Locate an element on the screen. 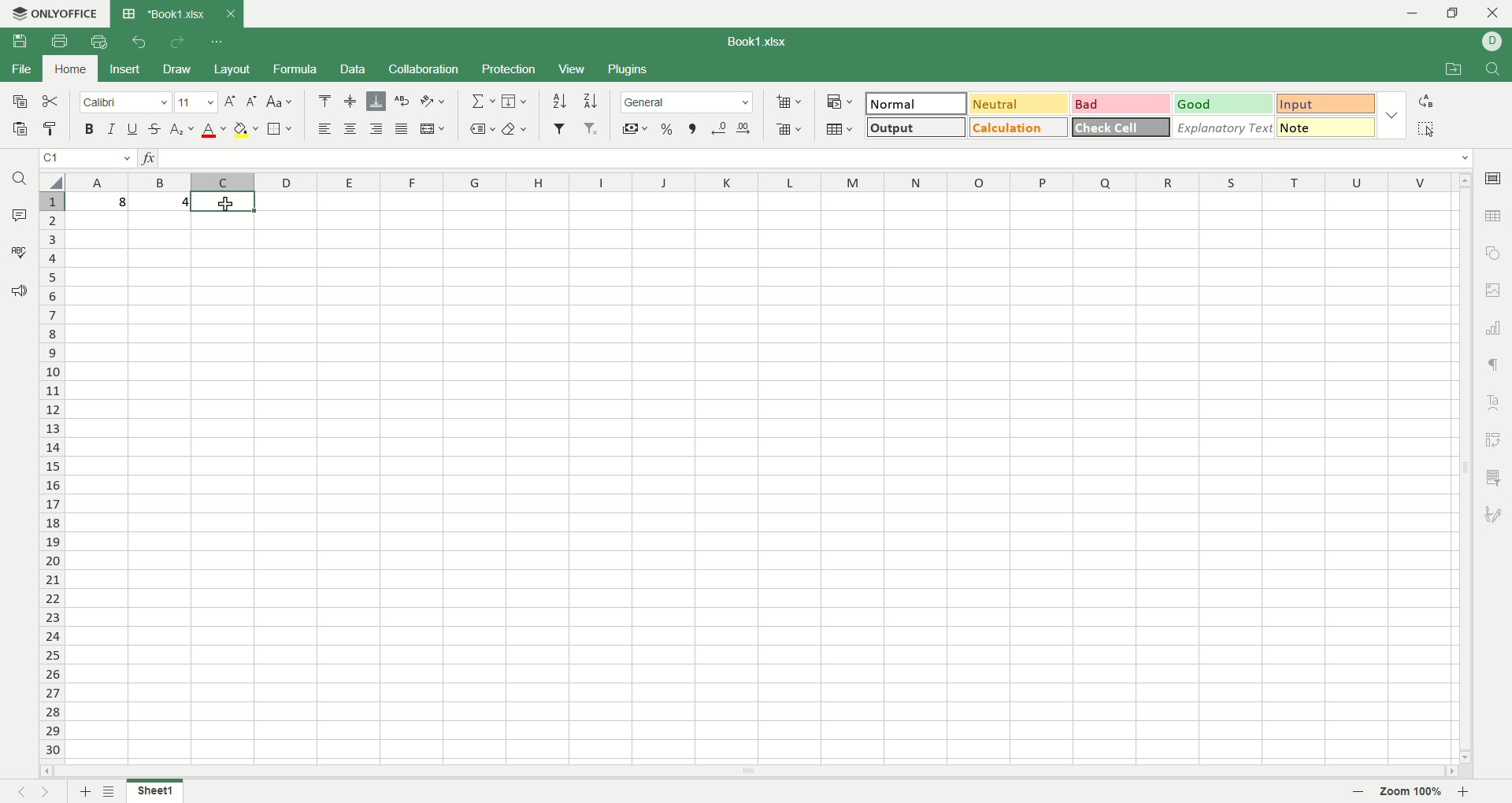 Image resolution: width=1512 pixels, height=803 pixels. save is located at coordinates (21, 41).